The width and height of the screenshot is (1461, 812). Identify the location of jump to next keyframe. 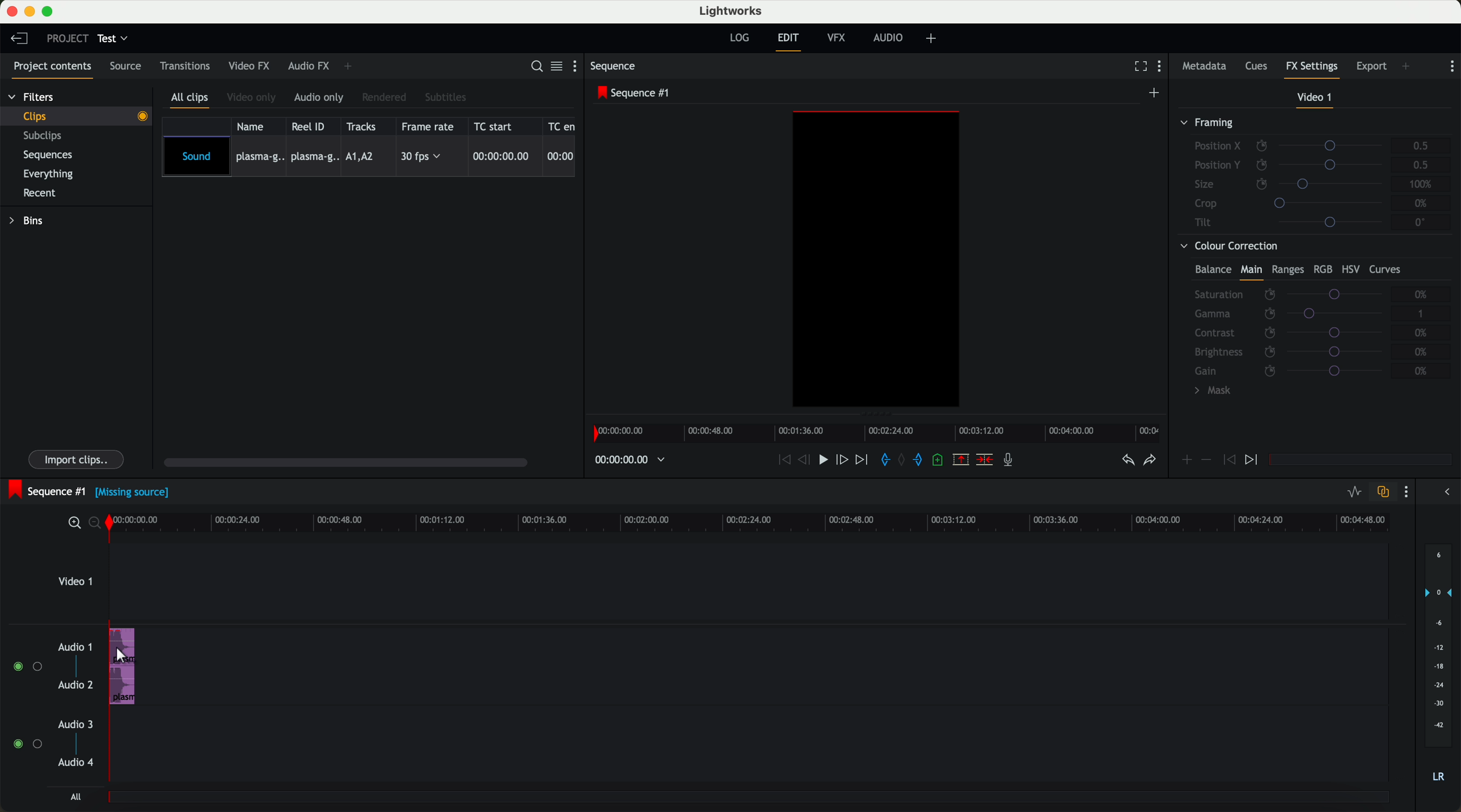
(1253, 460).